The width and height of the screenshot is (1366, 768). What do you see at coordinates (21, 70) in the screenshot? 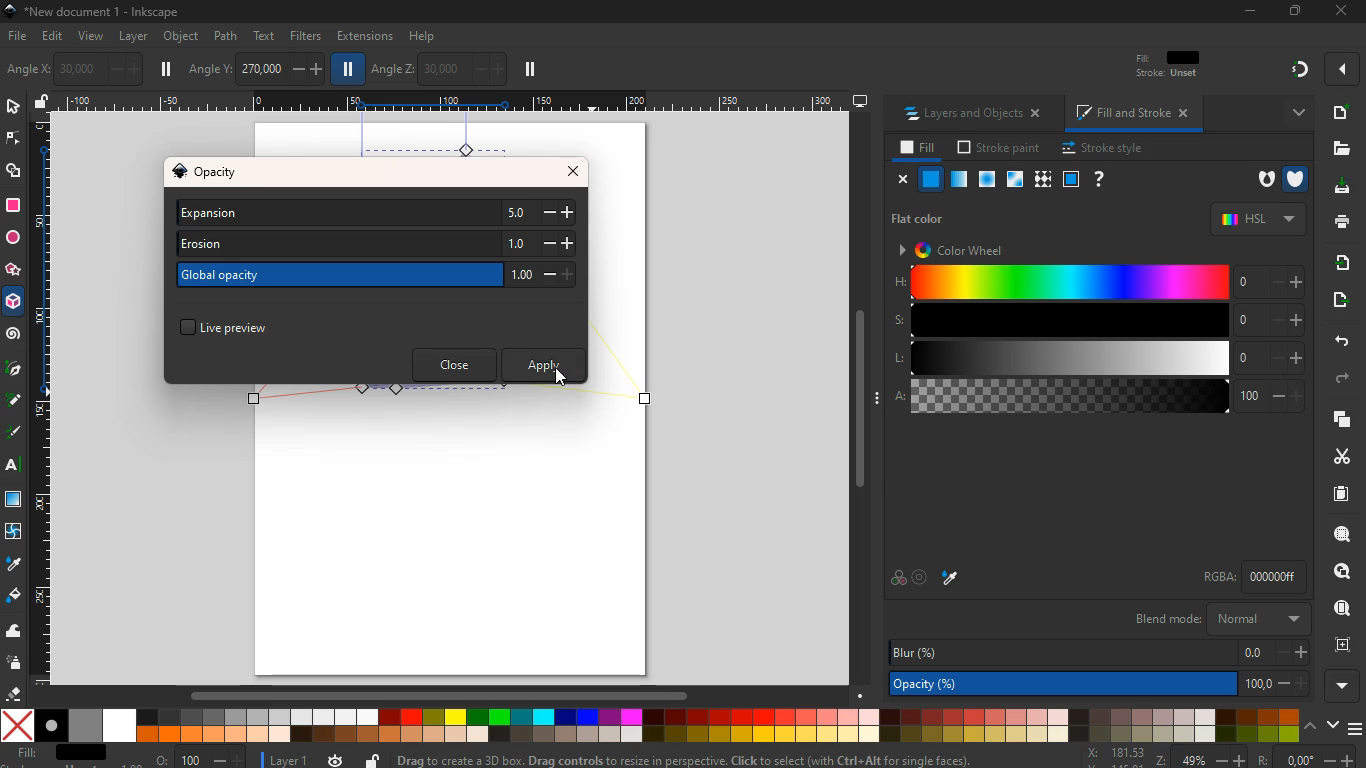
I see `photo` at bounding box center [21, 70].